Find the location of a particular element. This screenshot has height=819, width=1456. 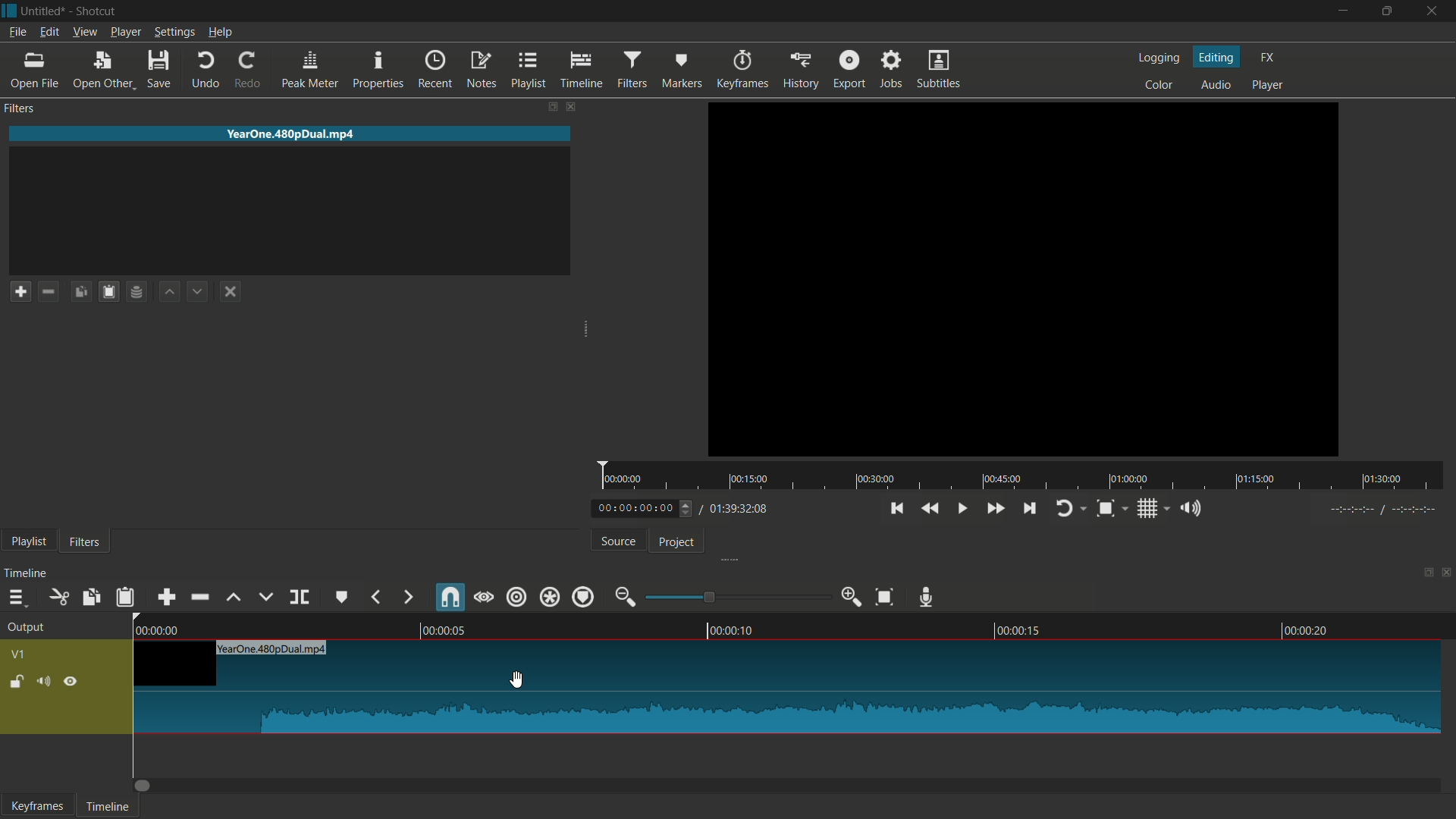

snap is located at coordinates (450, 597).